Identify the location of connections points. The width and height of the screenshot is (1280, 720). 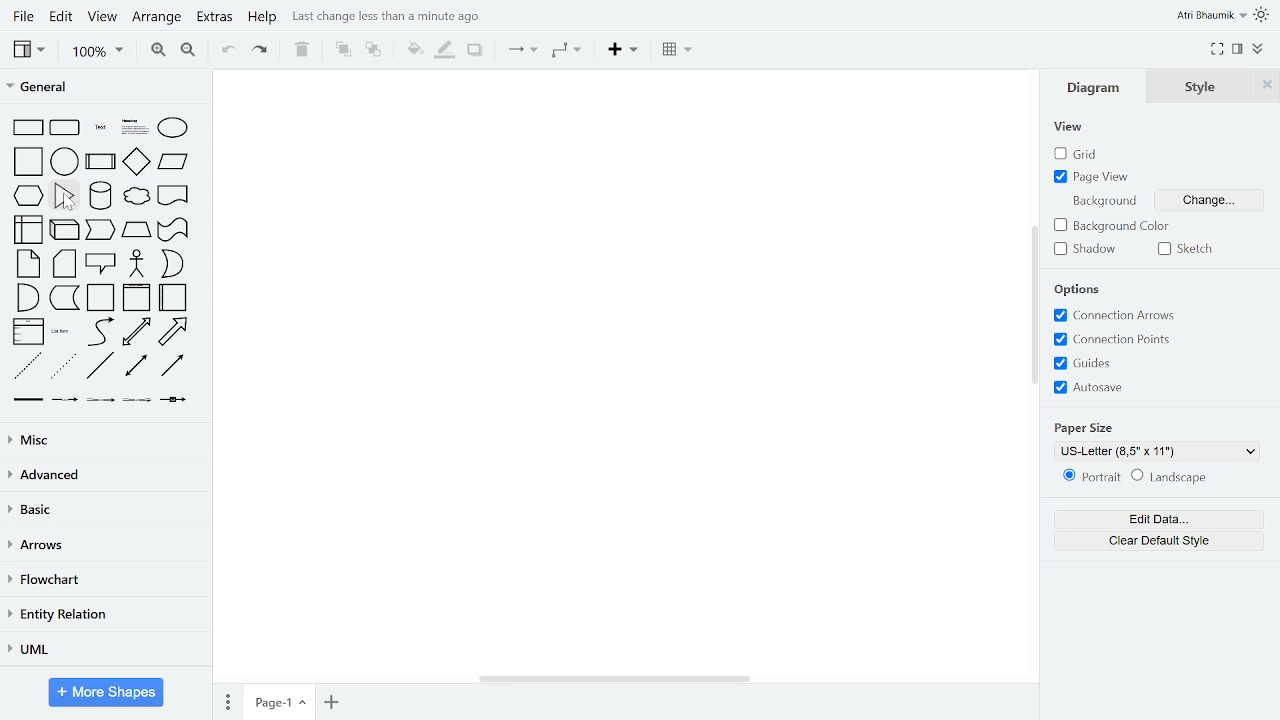
(1112, 339).